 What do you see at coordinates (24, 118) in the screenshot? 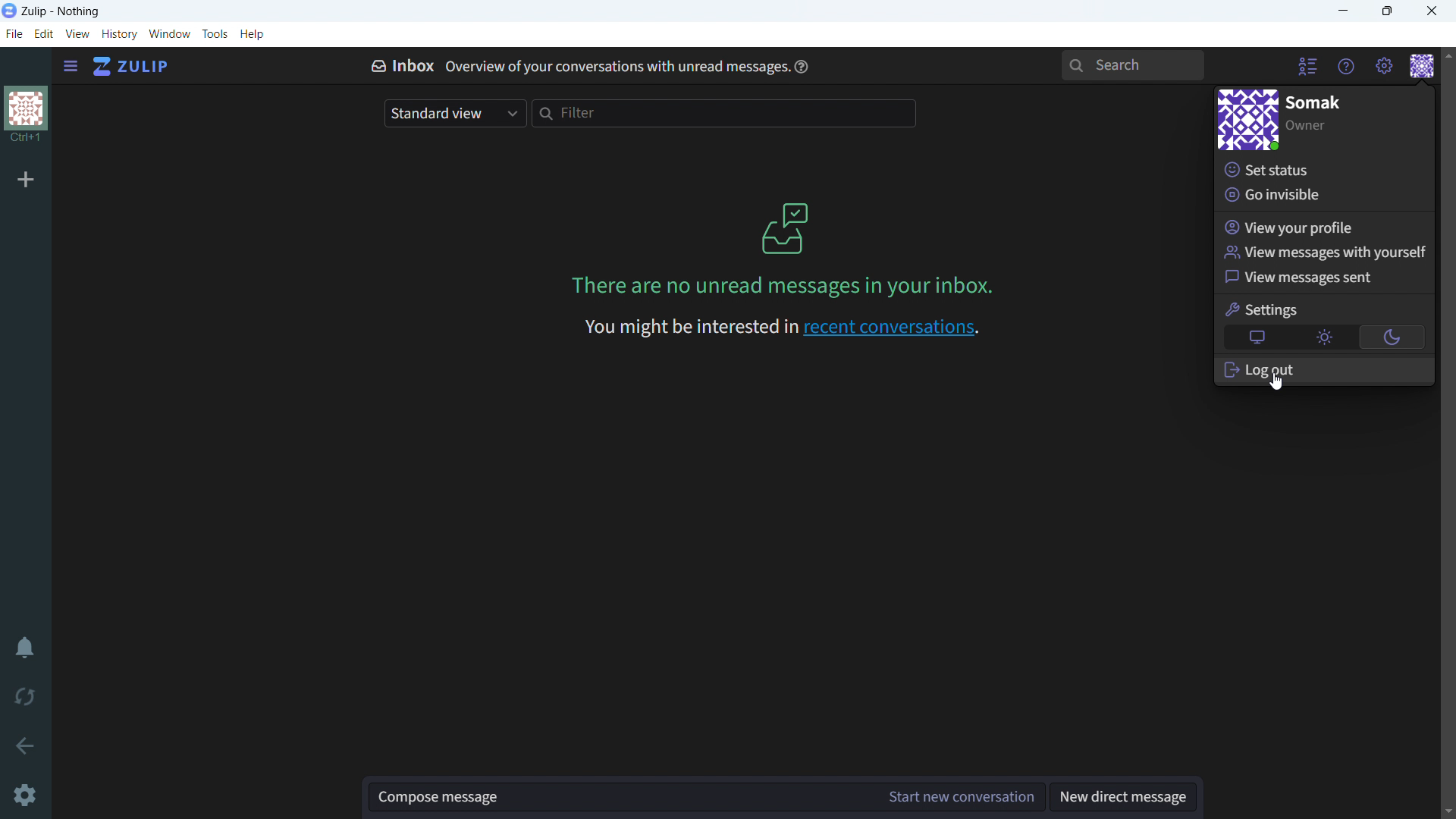
I see `organization` at bounding box center [24, 118].